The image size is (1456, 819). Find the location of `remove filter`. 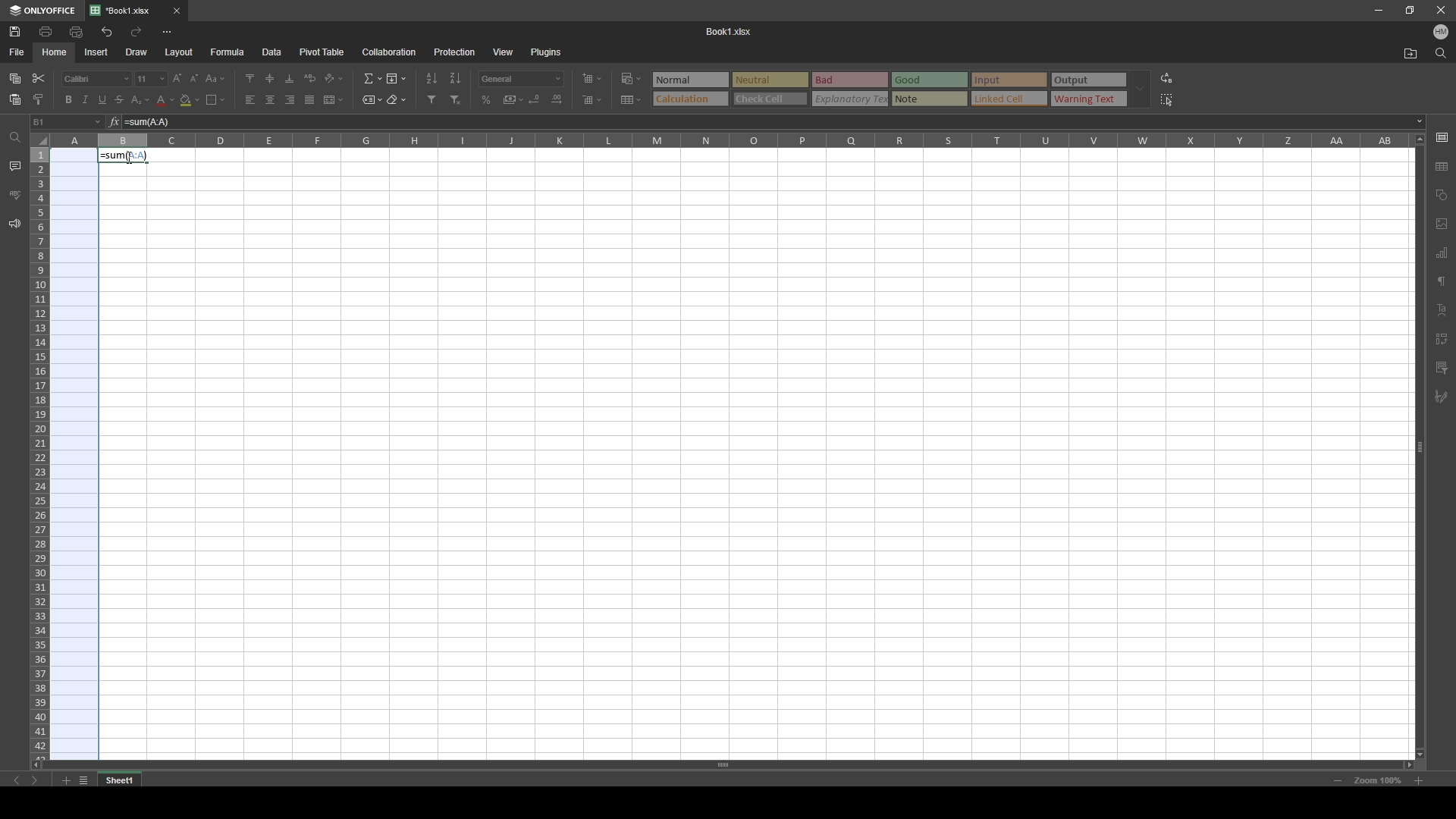

remove filter is located at coordinates (457, 100).